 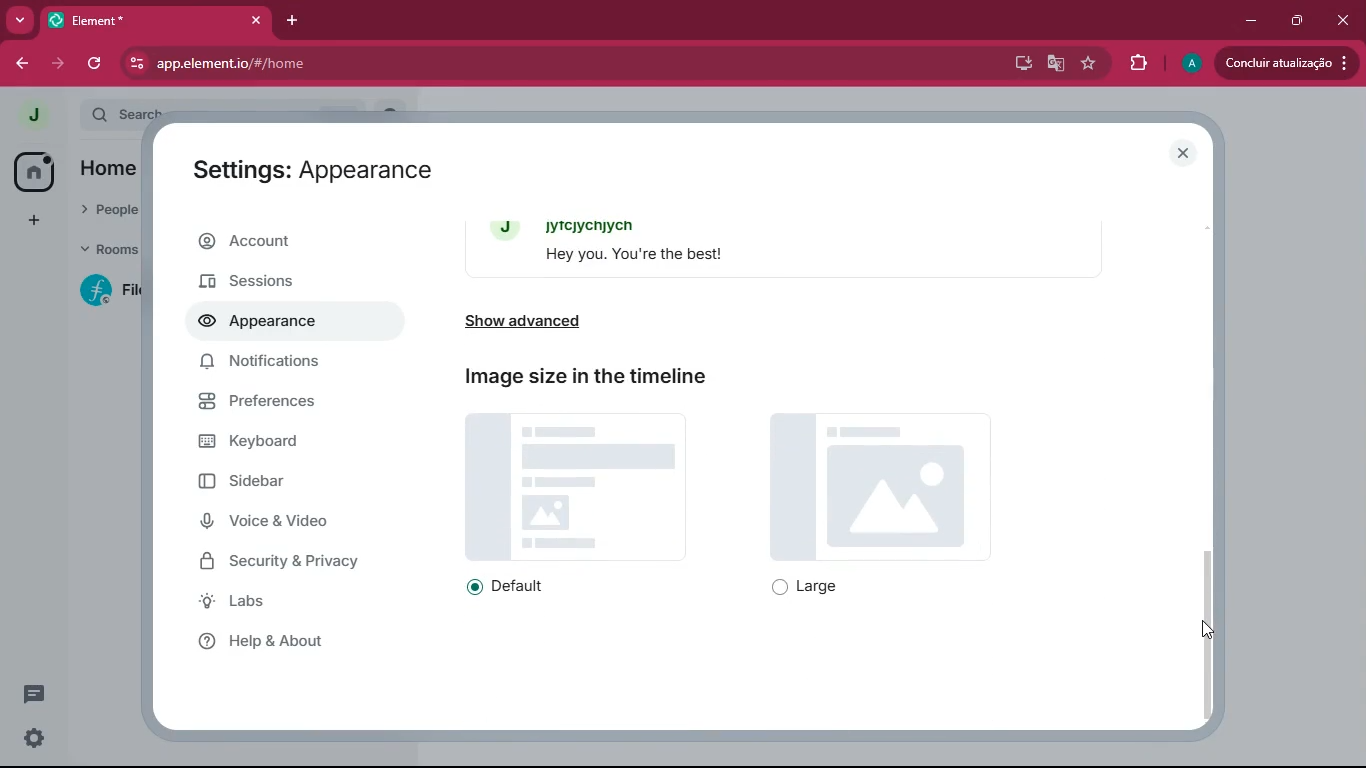 I want to click on Cursor, so click(x=1205, y=627).